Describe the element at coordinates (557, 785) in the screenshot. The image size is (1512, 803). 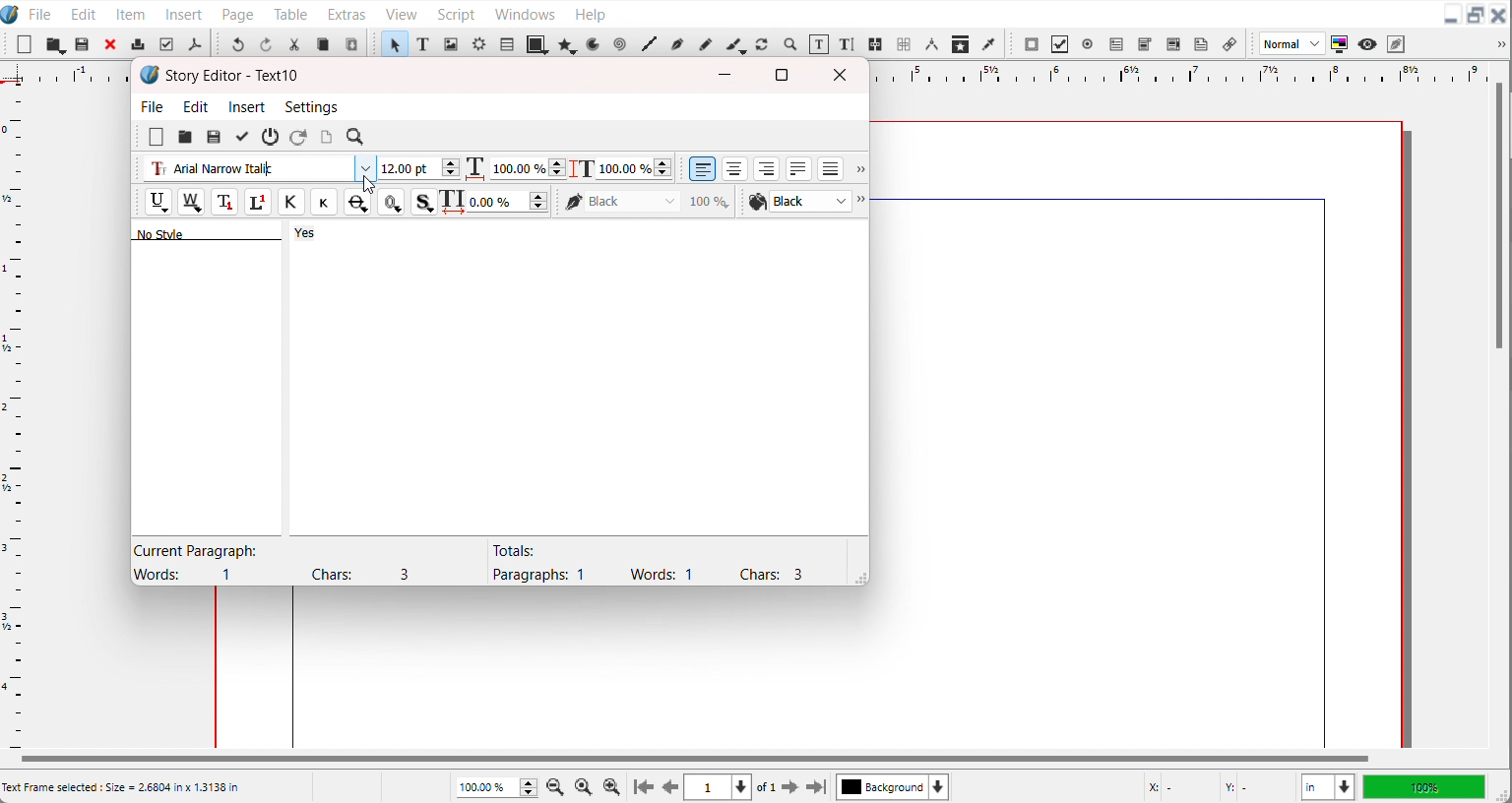
I see `Zoom Out` at that location.